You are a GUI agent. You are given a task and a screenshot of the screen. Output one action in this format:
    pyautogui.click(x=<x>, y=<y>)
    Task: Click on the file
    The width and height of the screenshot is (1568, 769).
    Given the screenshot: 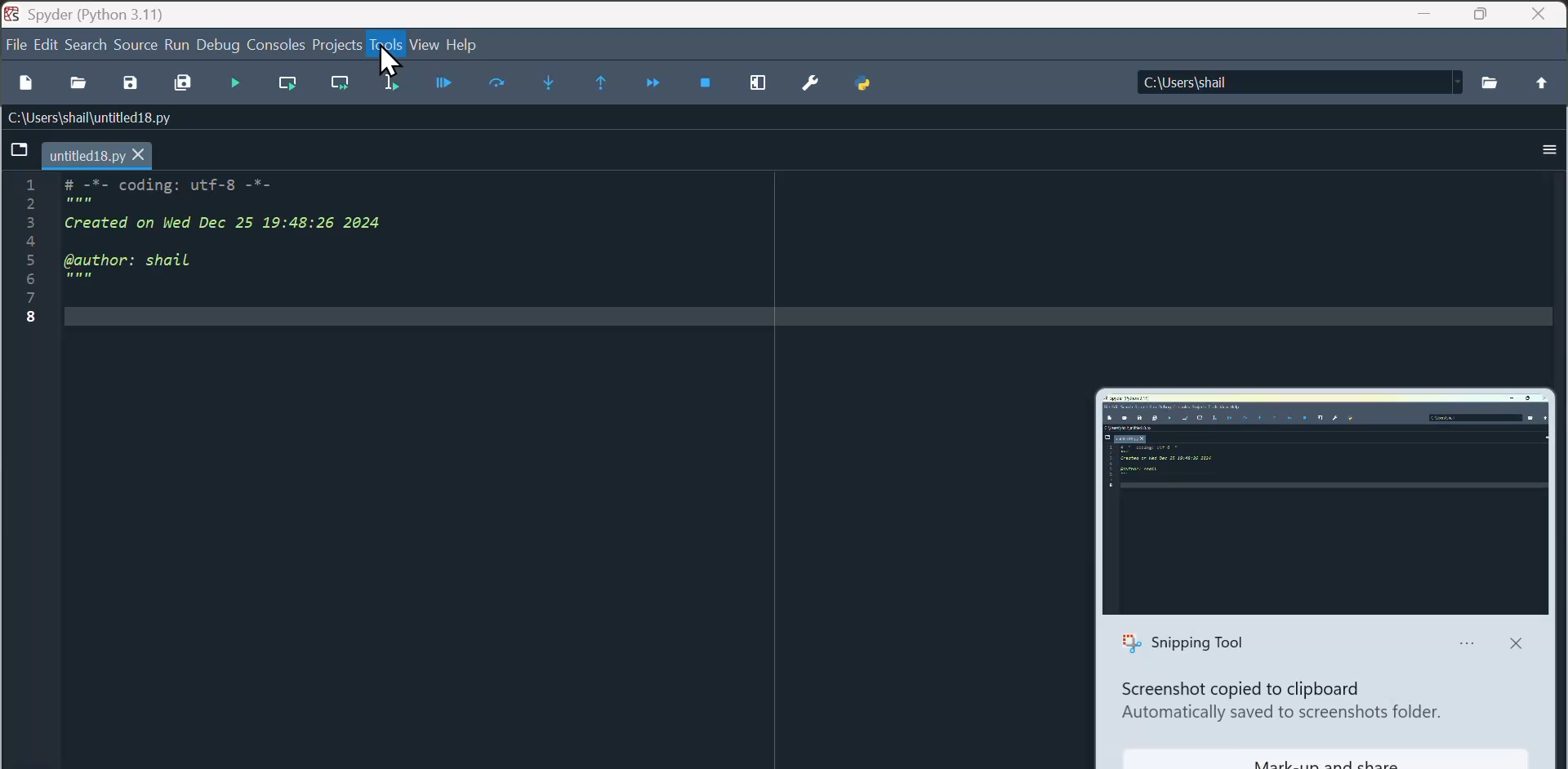 What is the action you would take?
    pyautogui.click(x=15, y=46)
    